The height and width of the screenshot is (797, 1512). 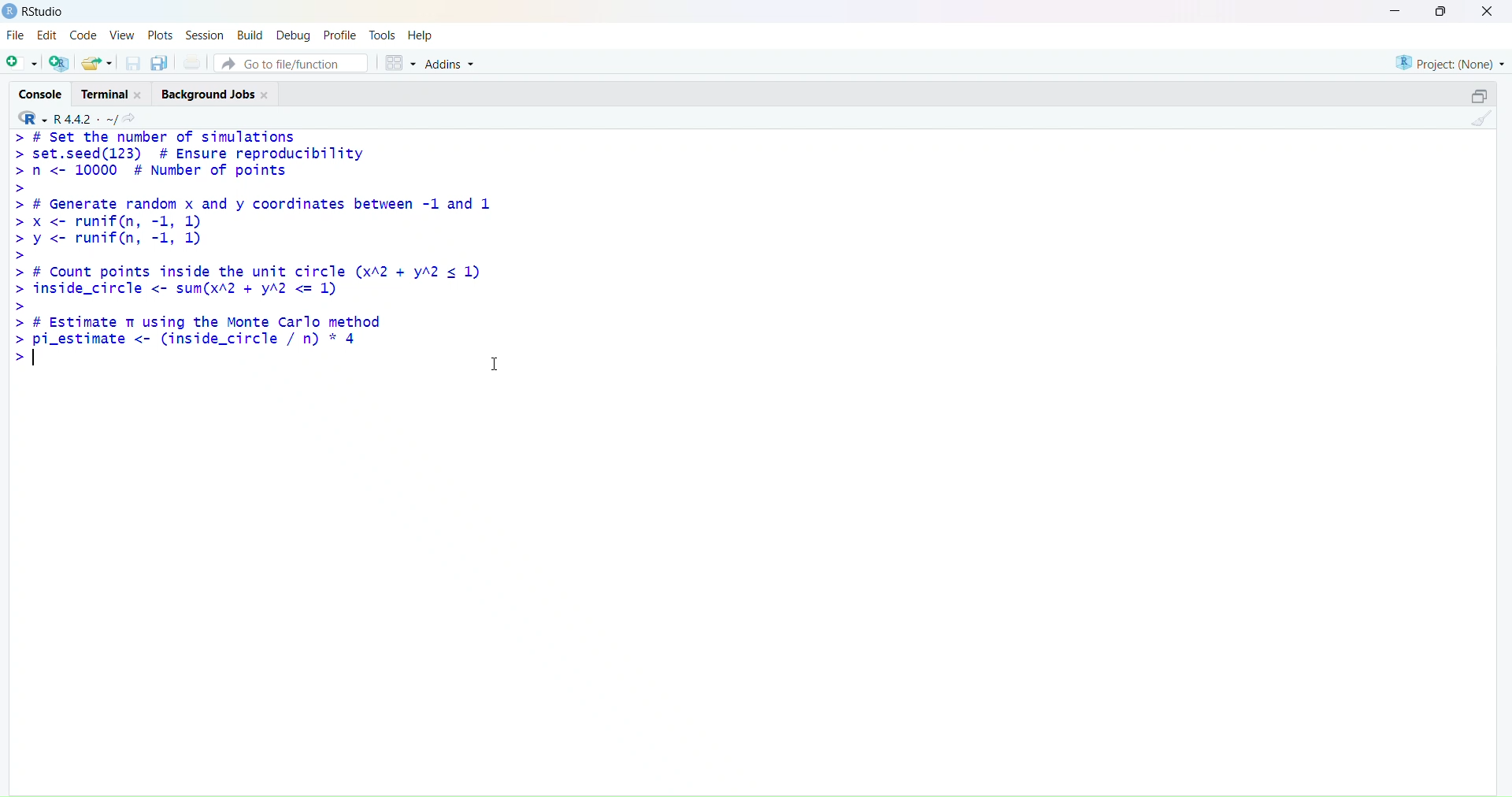 What do you see at coordinates (32, 117) in the screenshot?
I see `R` at bounding box center [32, 117].